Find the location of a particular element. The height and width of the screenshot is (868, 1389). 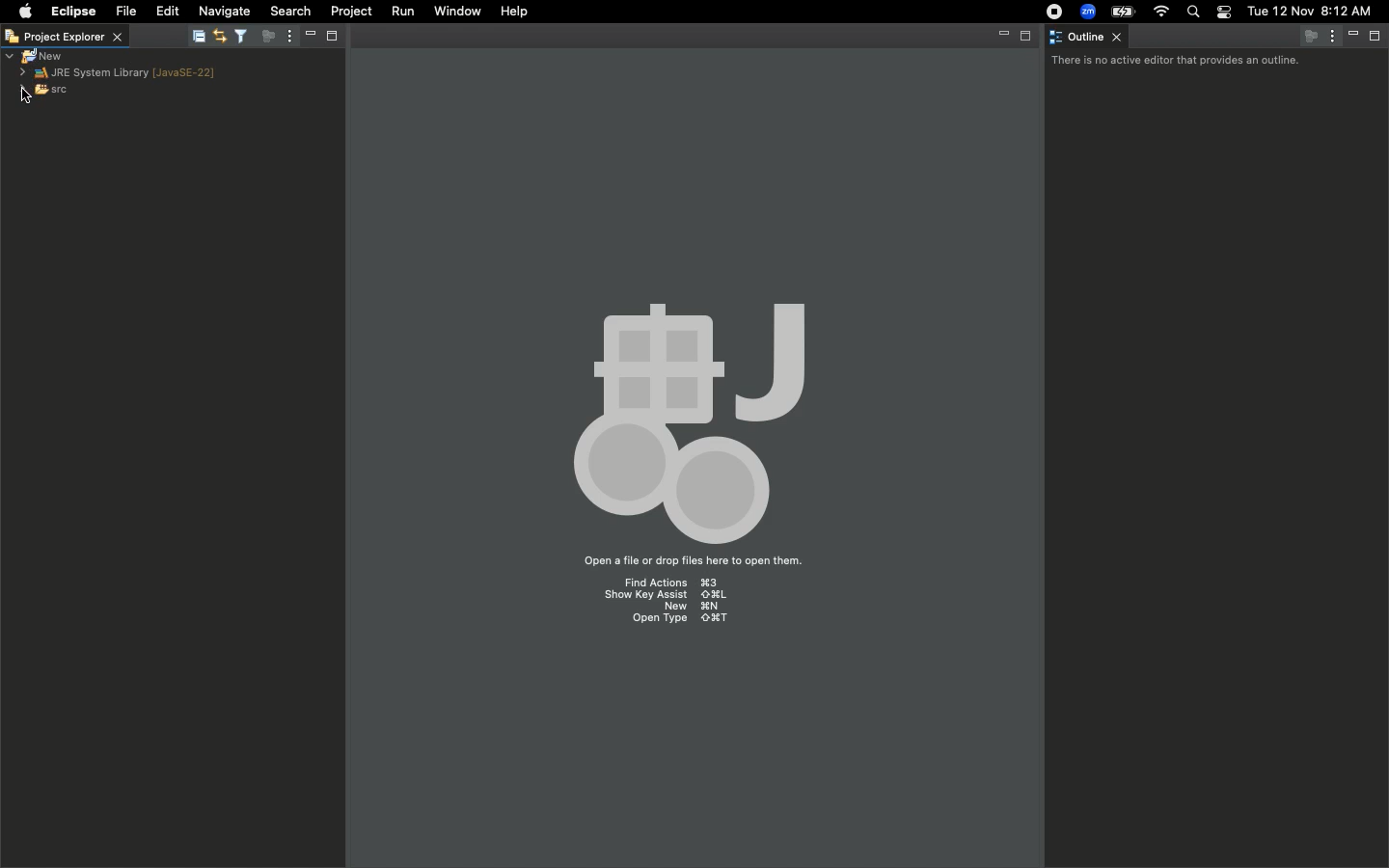

File is located at coordinates (125, 10).